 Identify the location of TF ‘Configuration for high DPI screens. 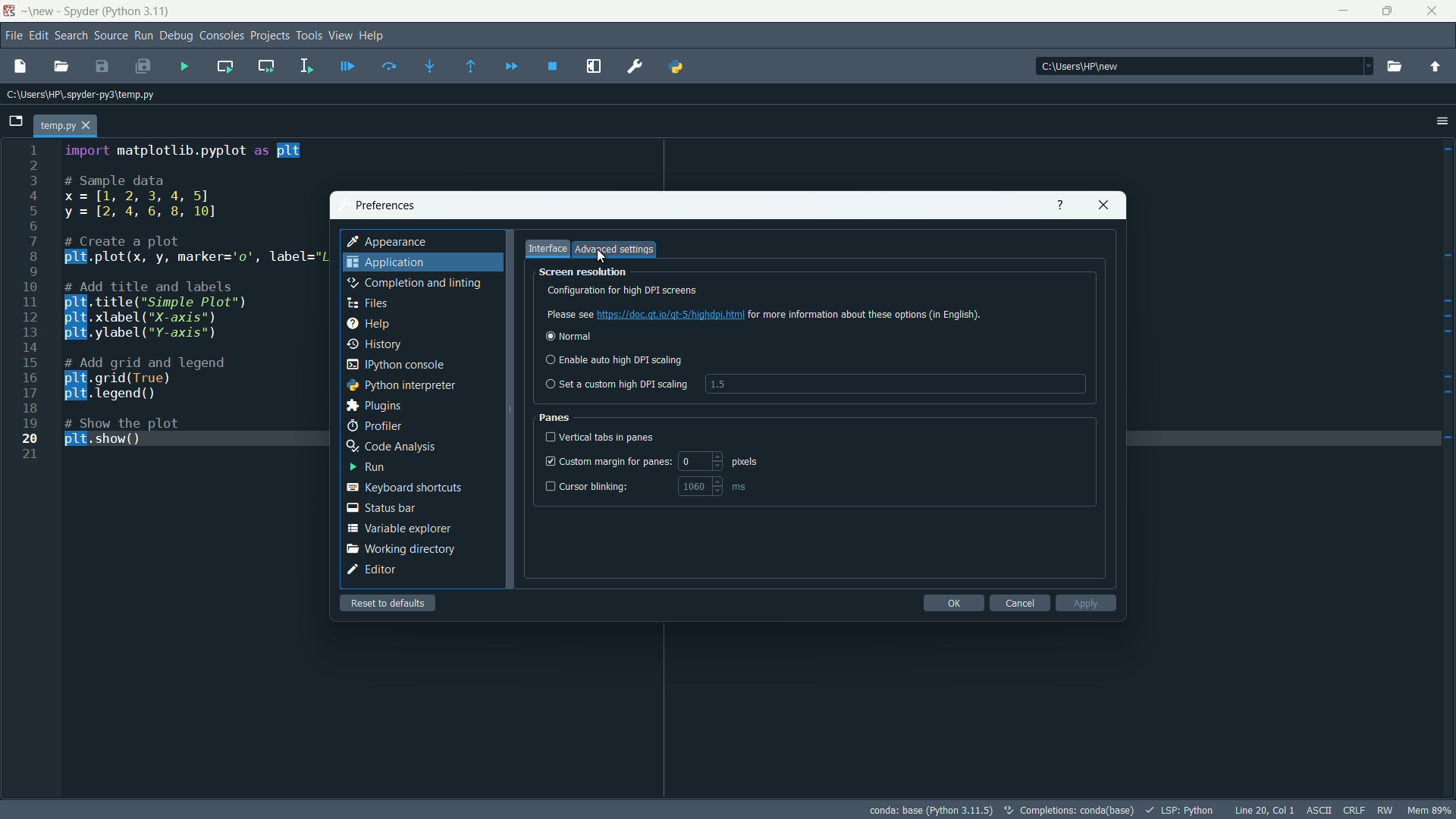
(694, 290).